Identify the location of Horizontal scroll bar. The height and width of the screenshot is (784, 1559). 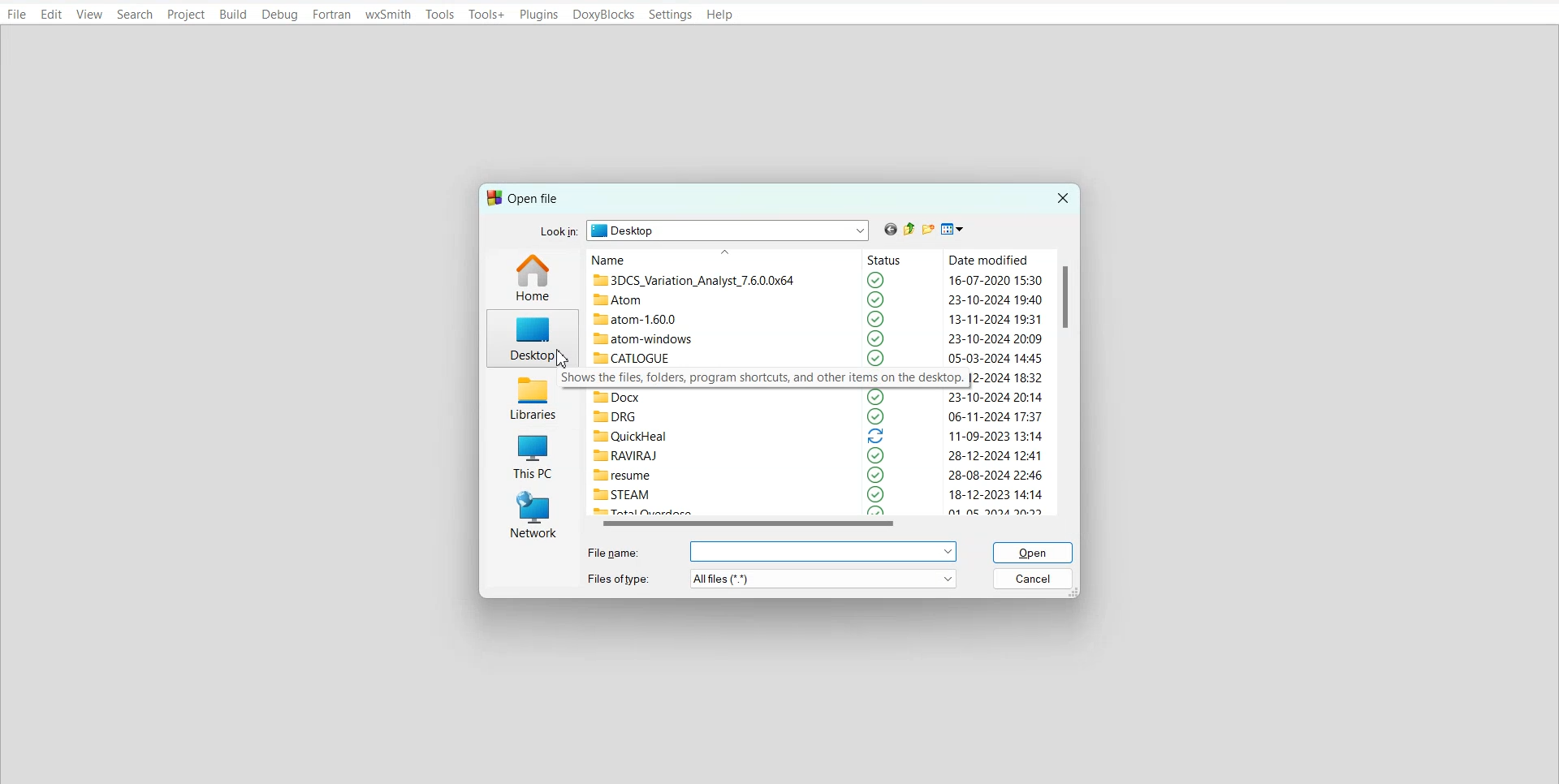
(818, 523).